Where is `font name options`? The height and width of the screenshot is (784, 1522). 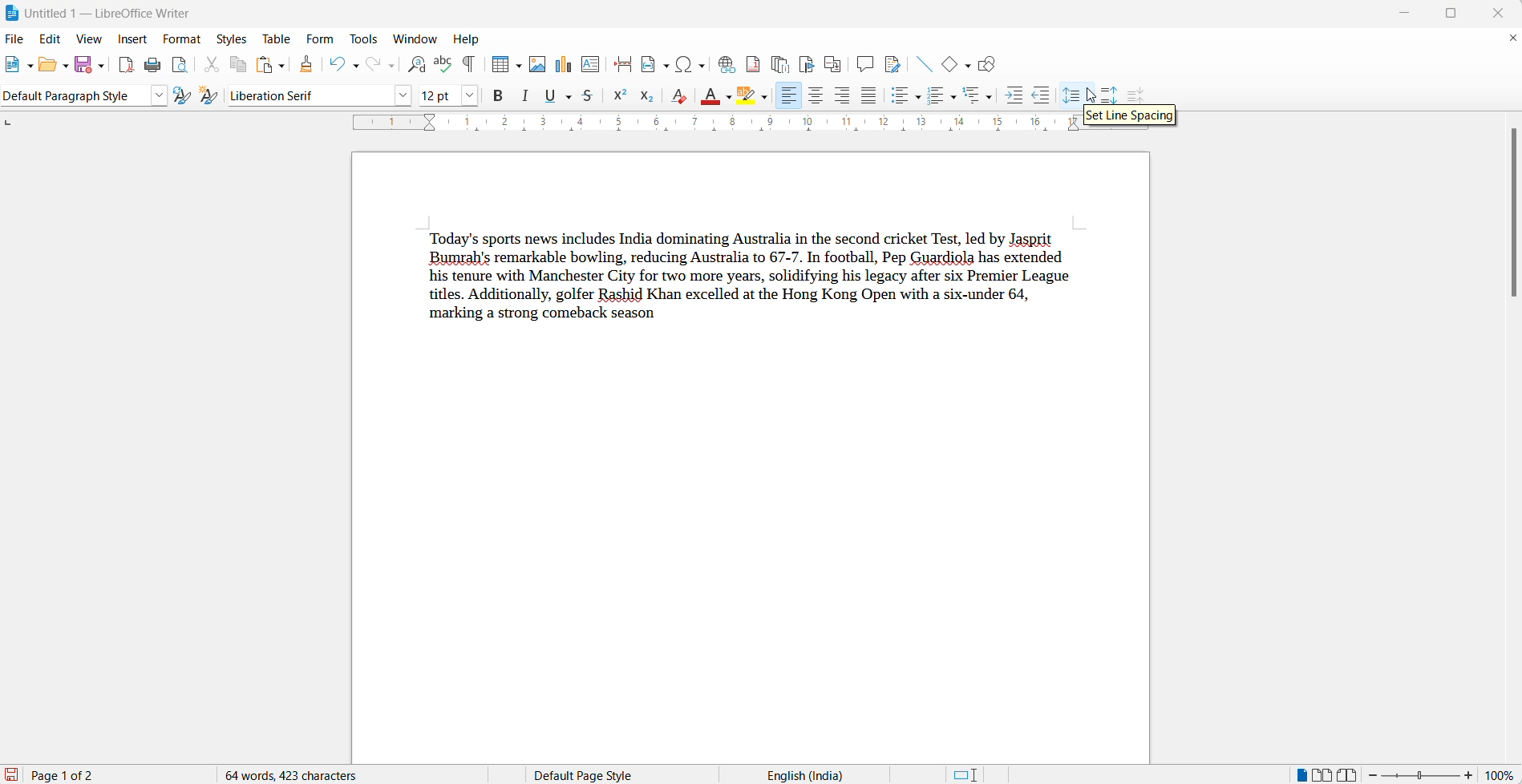 font name options is located at coordinates (401, 96).